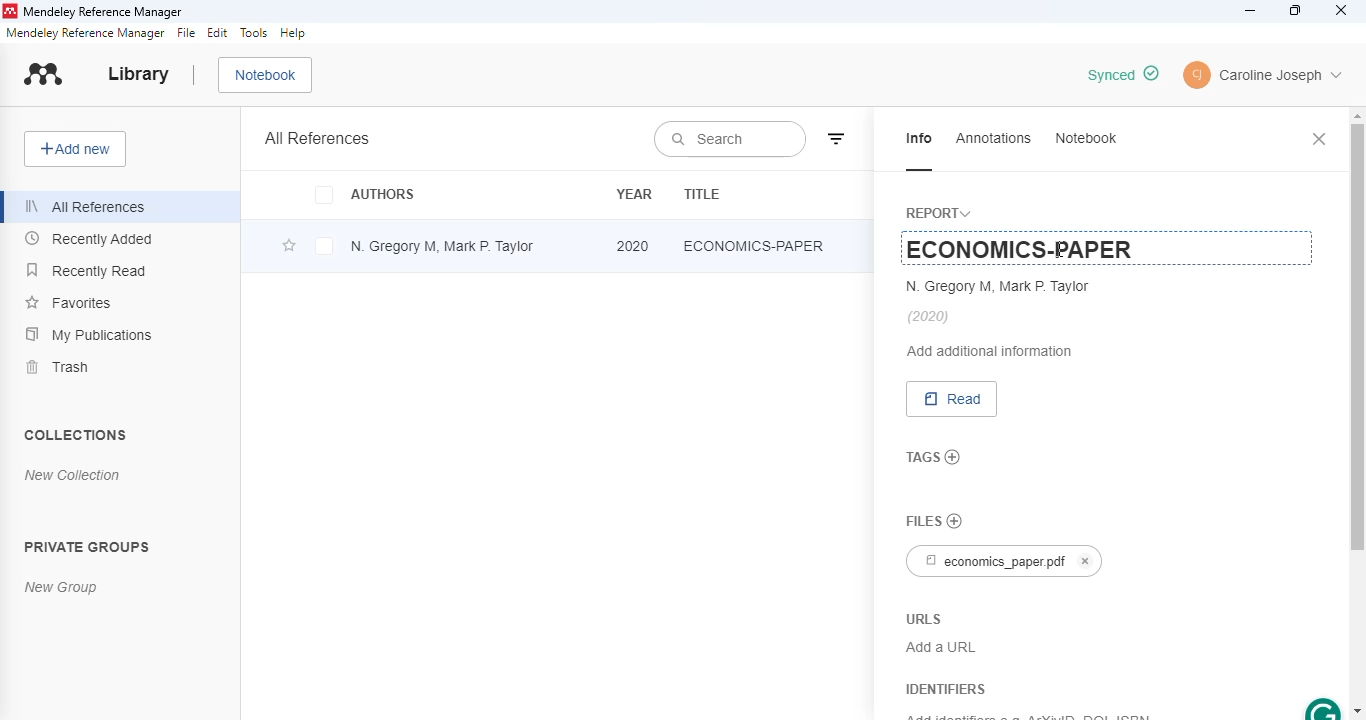  What do you see at coordinates (952, 399) in the screenshot?
I see `read` at bounding box center [952, 399].